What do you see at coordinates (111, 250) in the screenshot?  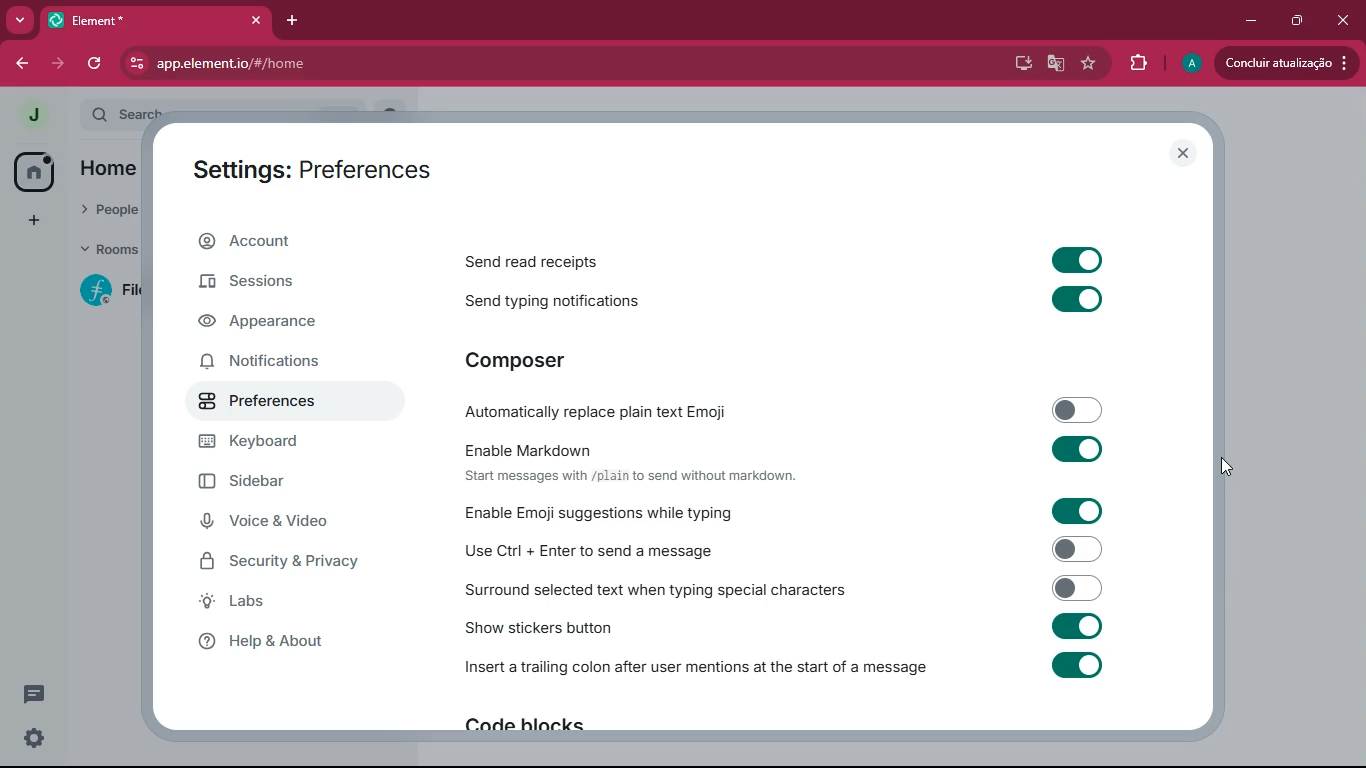 I see `rooms` at bounding box center [111, 250].